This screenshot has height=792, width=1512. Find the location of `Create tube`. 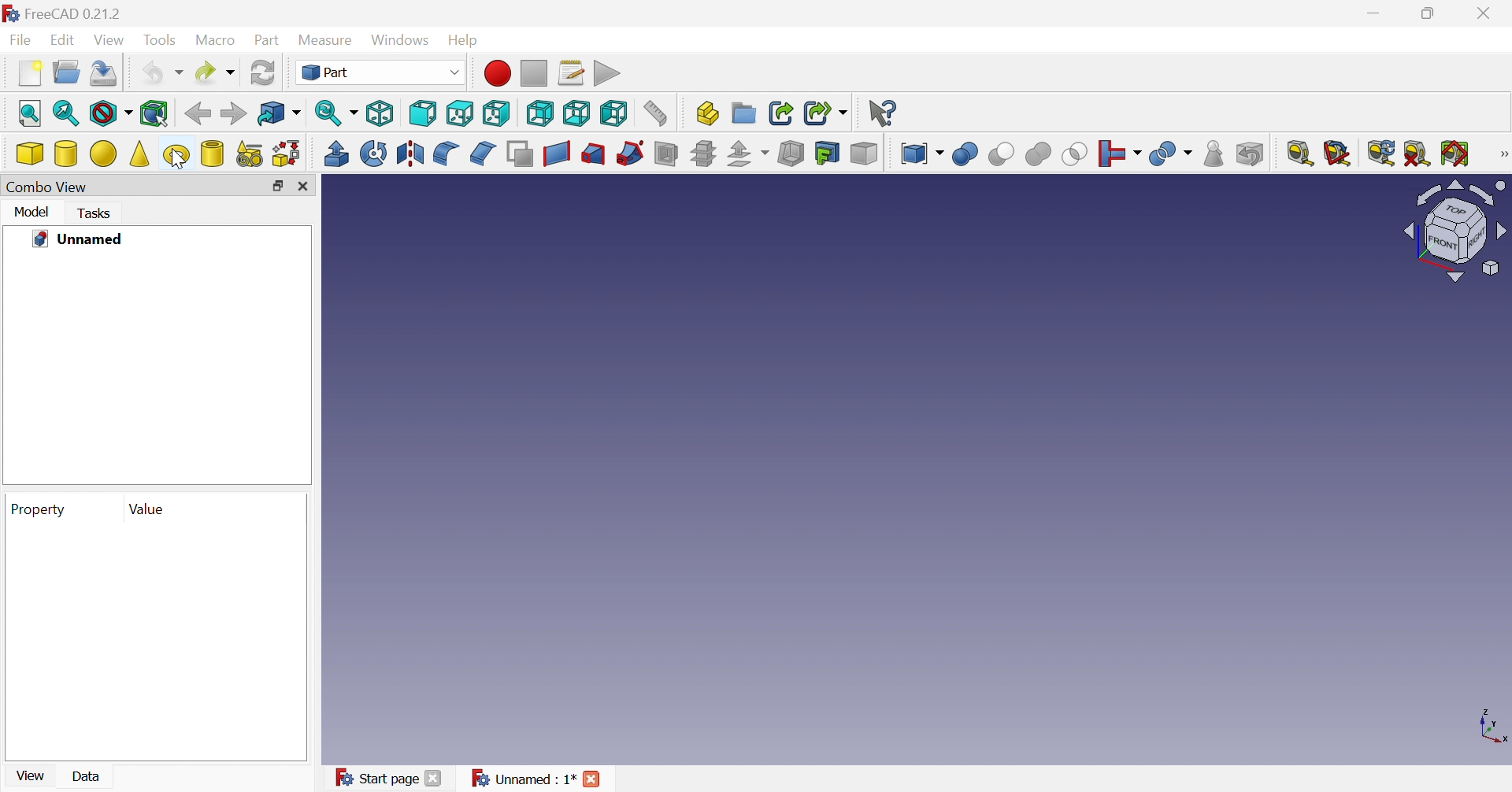

Create tube is located at coordinates (212, 154).